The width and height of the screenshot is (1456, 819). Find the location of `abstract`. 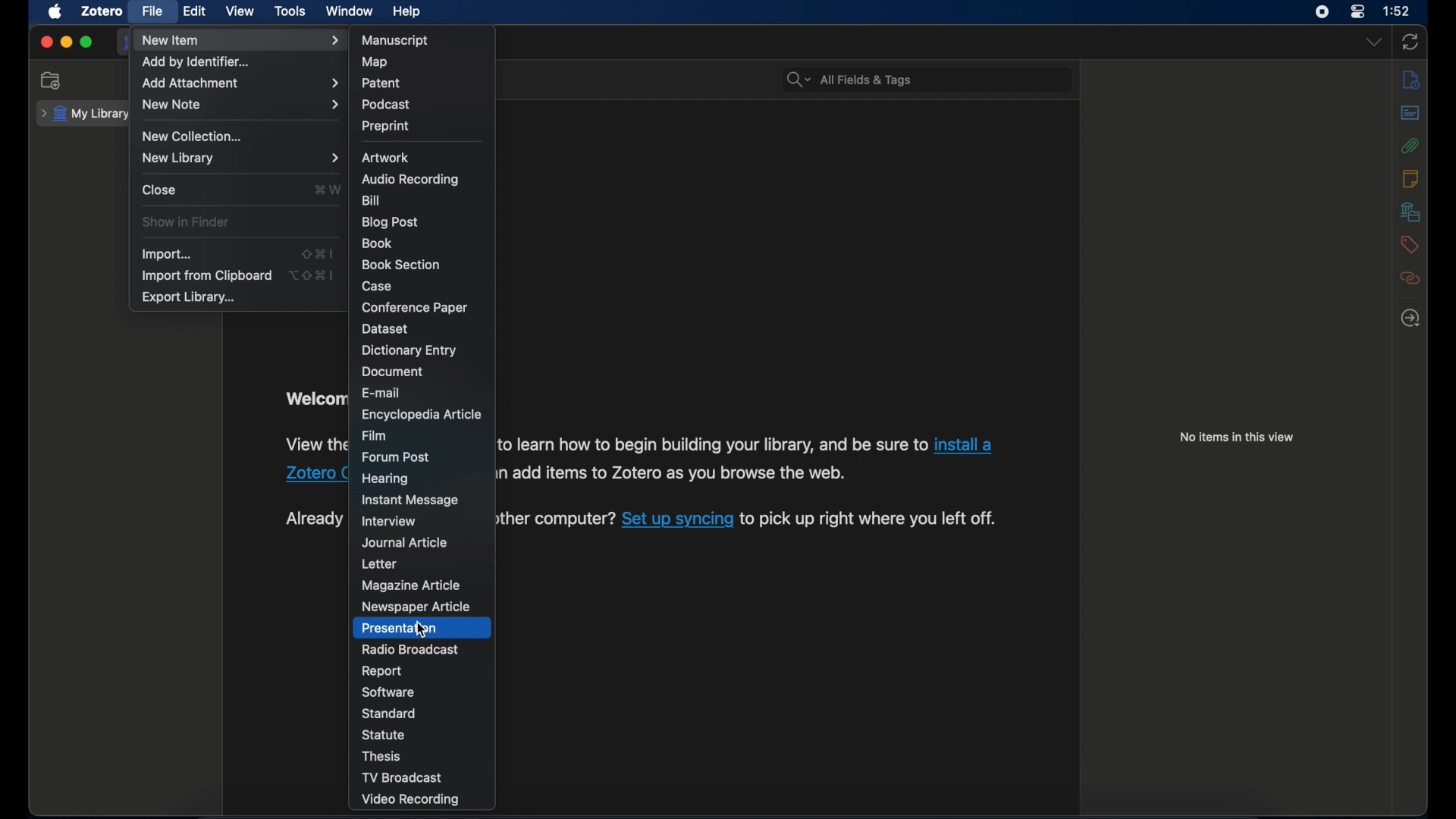

abstract is located at coordinates (1410, 112).